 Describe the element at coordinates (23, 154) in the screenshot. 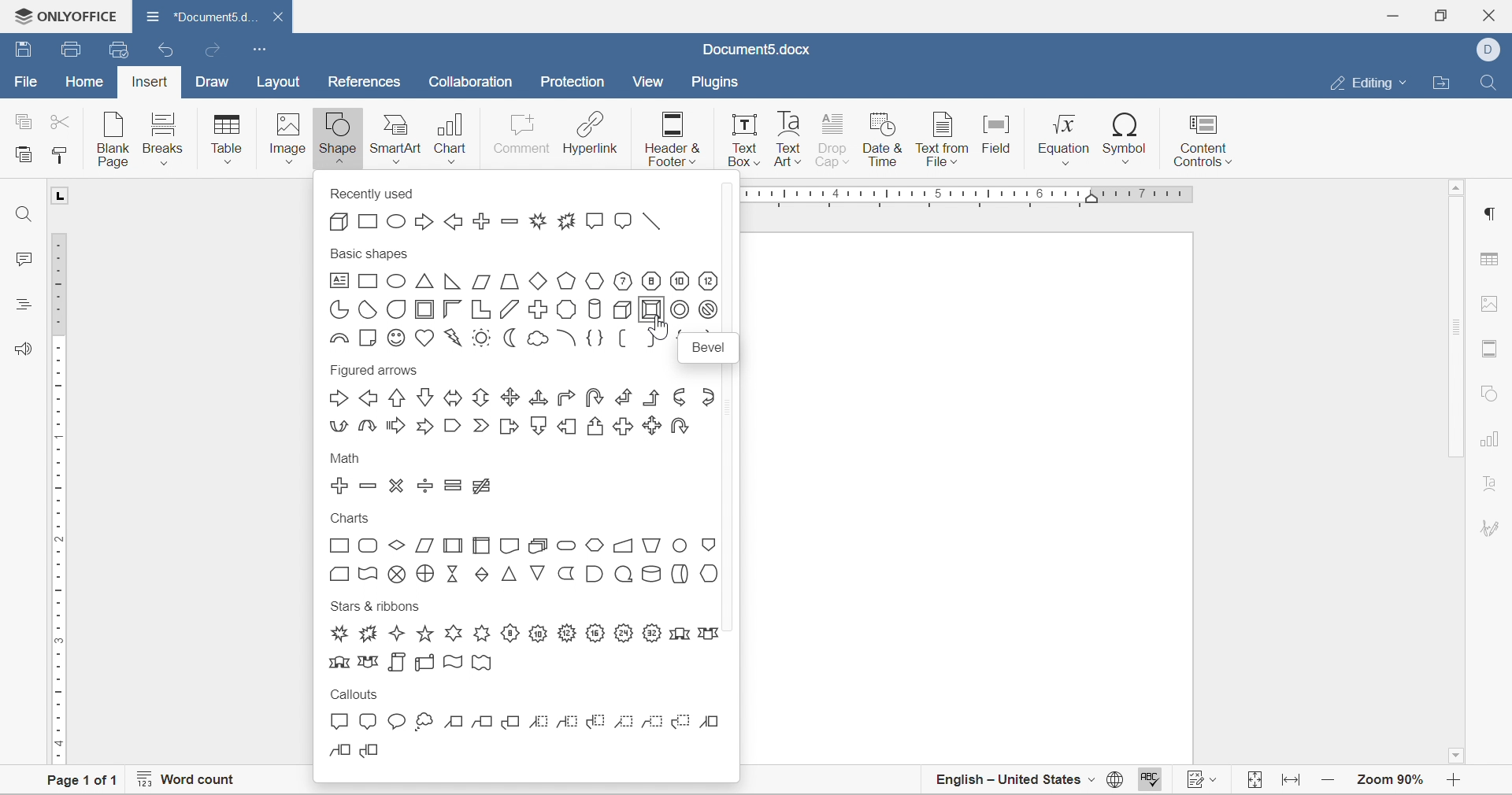

I see `paste` at that location.